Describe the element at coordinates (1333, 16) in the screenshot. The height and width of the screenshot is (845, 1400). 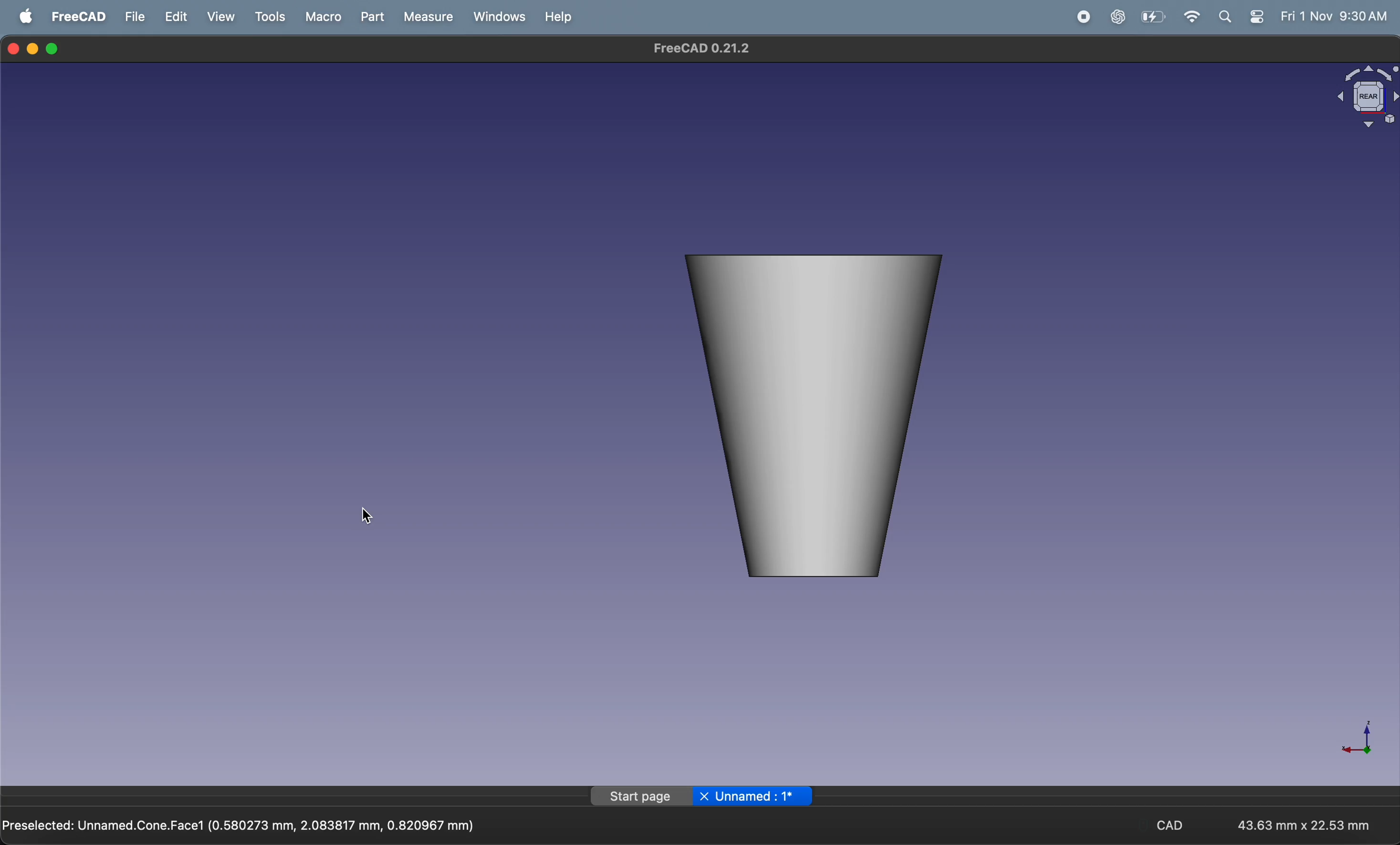
I see `Fri 1 Nov 9:30 AM` at that location.